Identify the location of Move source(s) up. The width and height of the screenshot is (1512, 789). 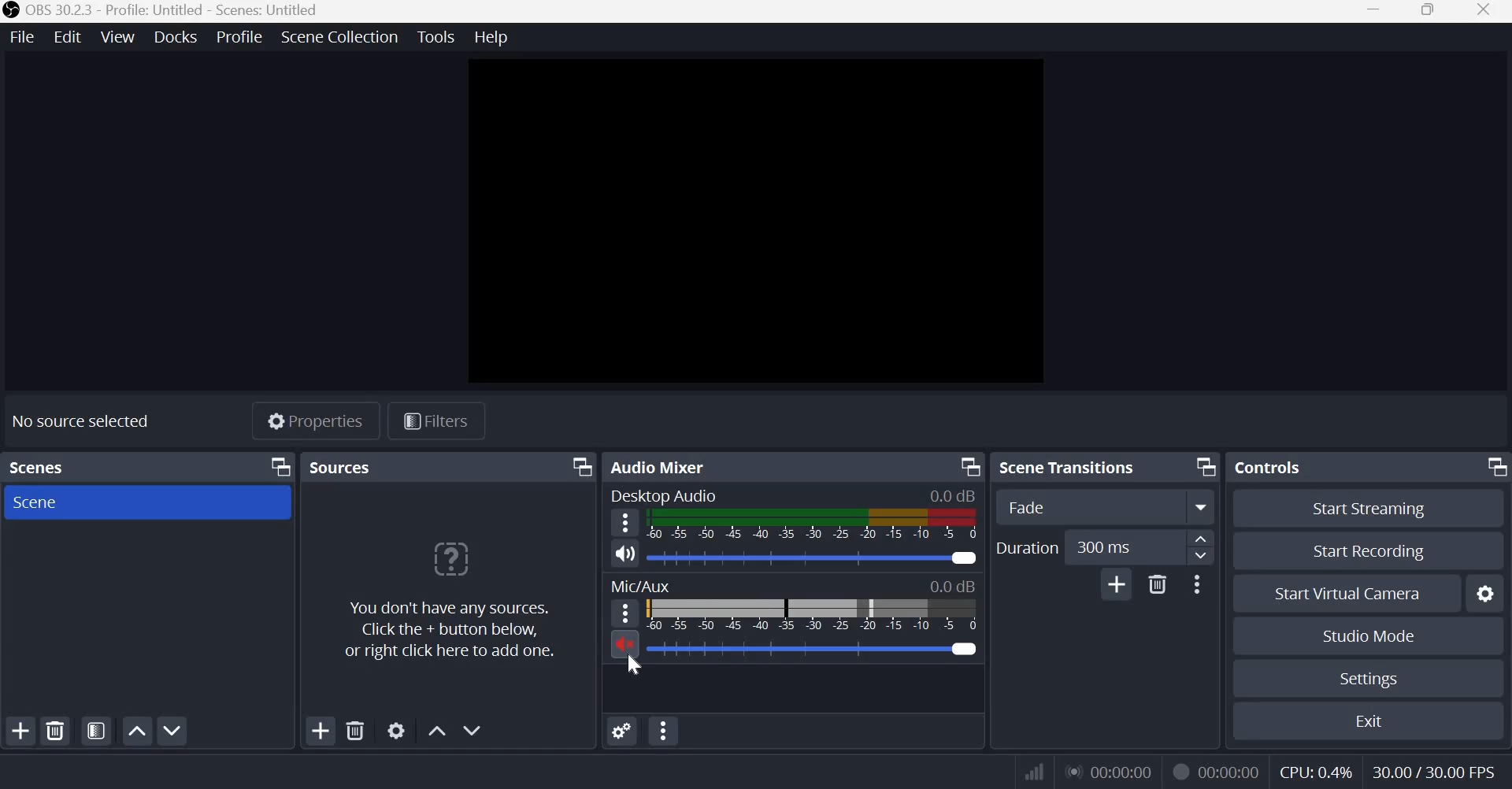
(437, 729).